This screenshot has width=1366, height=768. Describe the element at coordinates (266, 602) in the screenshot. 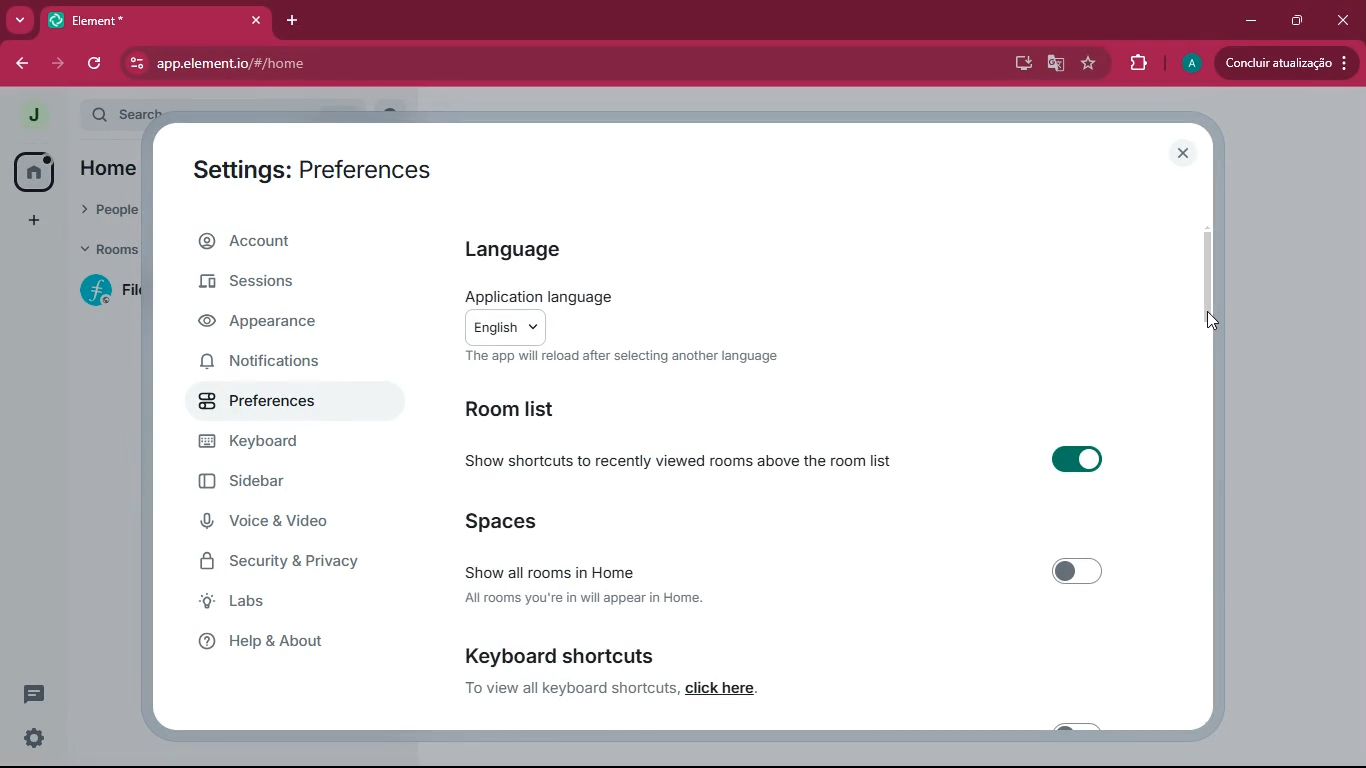

I see `labs` at that location.